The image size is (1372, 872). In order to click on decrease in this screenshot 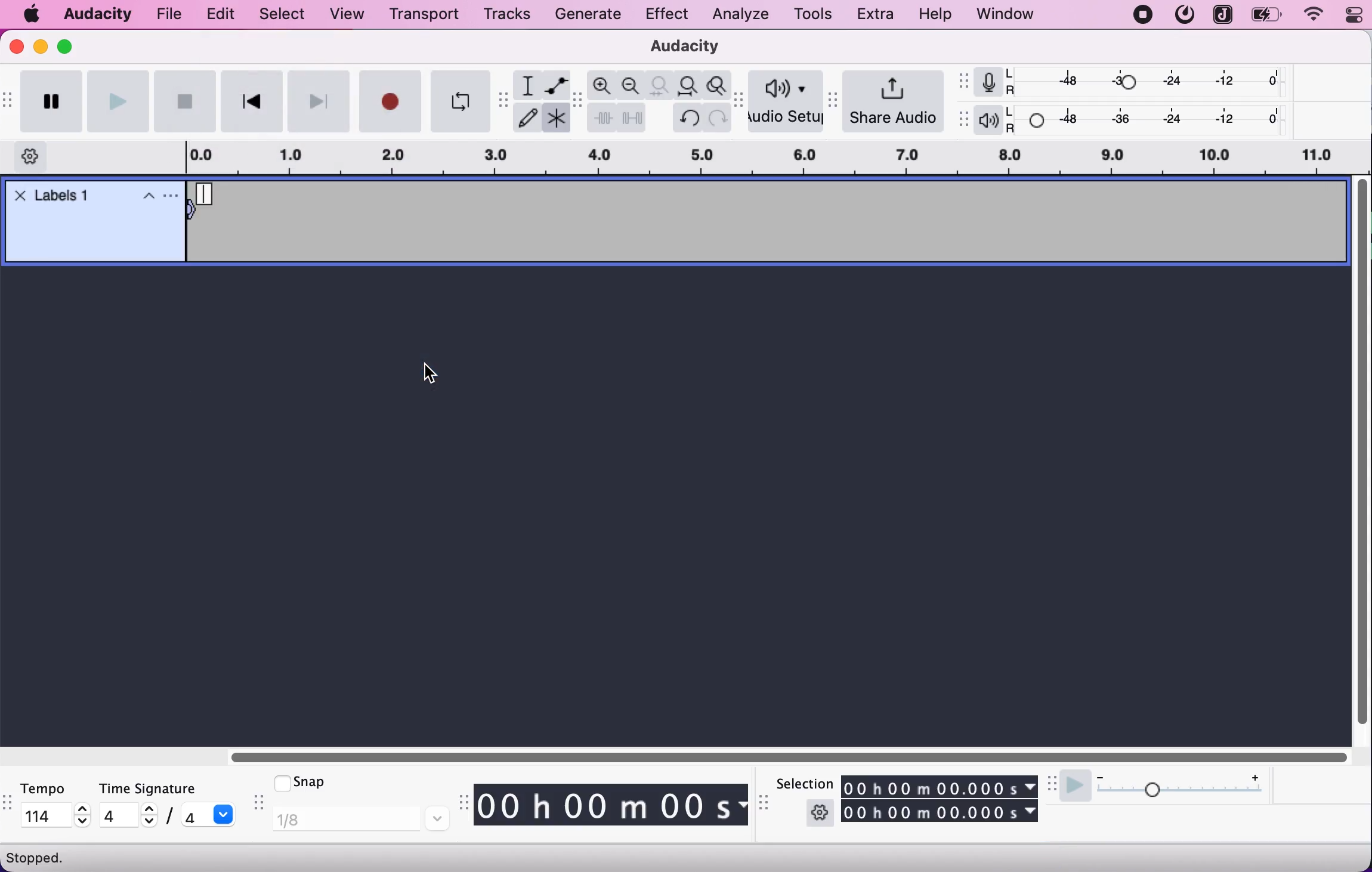, I will do `click(83, 822)`.